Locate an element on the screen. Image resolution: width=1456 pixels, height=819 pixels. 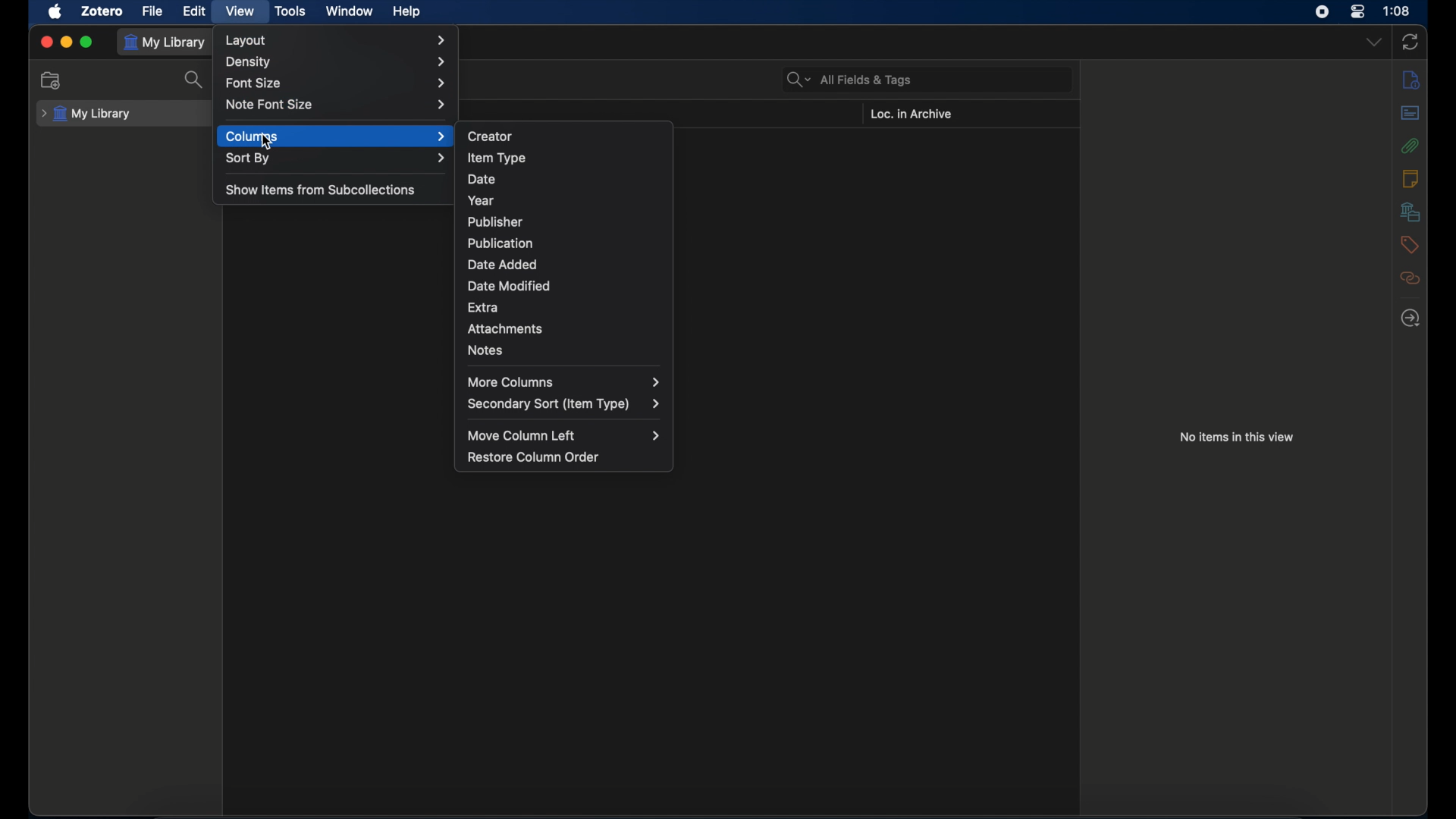
attachments is located at coordinates (1410, 145).